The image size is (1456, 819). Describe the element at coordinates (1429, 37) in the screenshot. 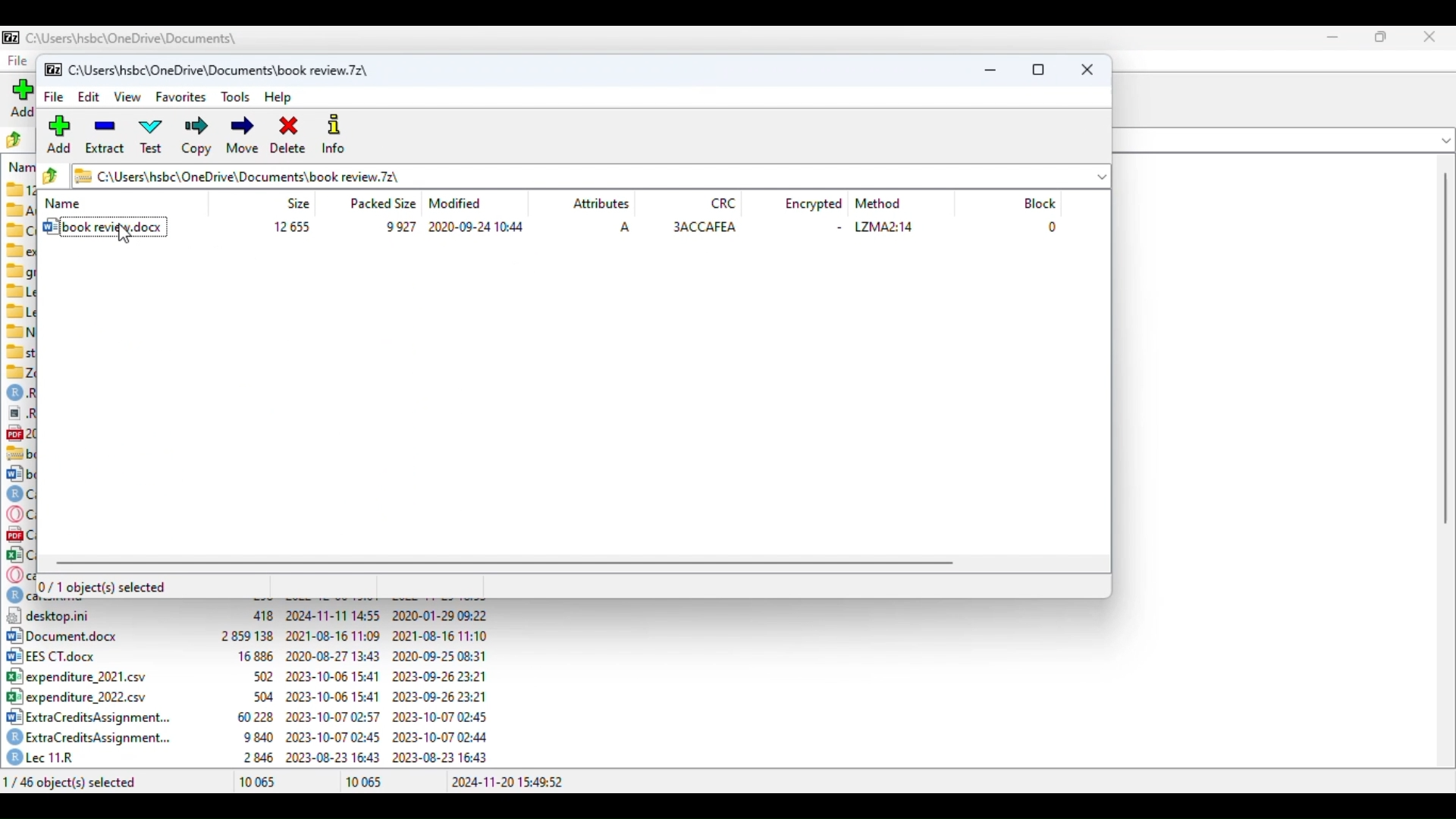

I see `close` at that location.